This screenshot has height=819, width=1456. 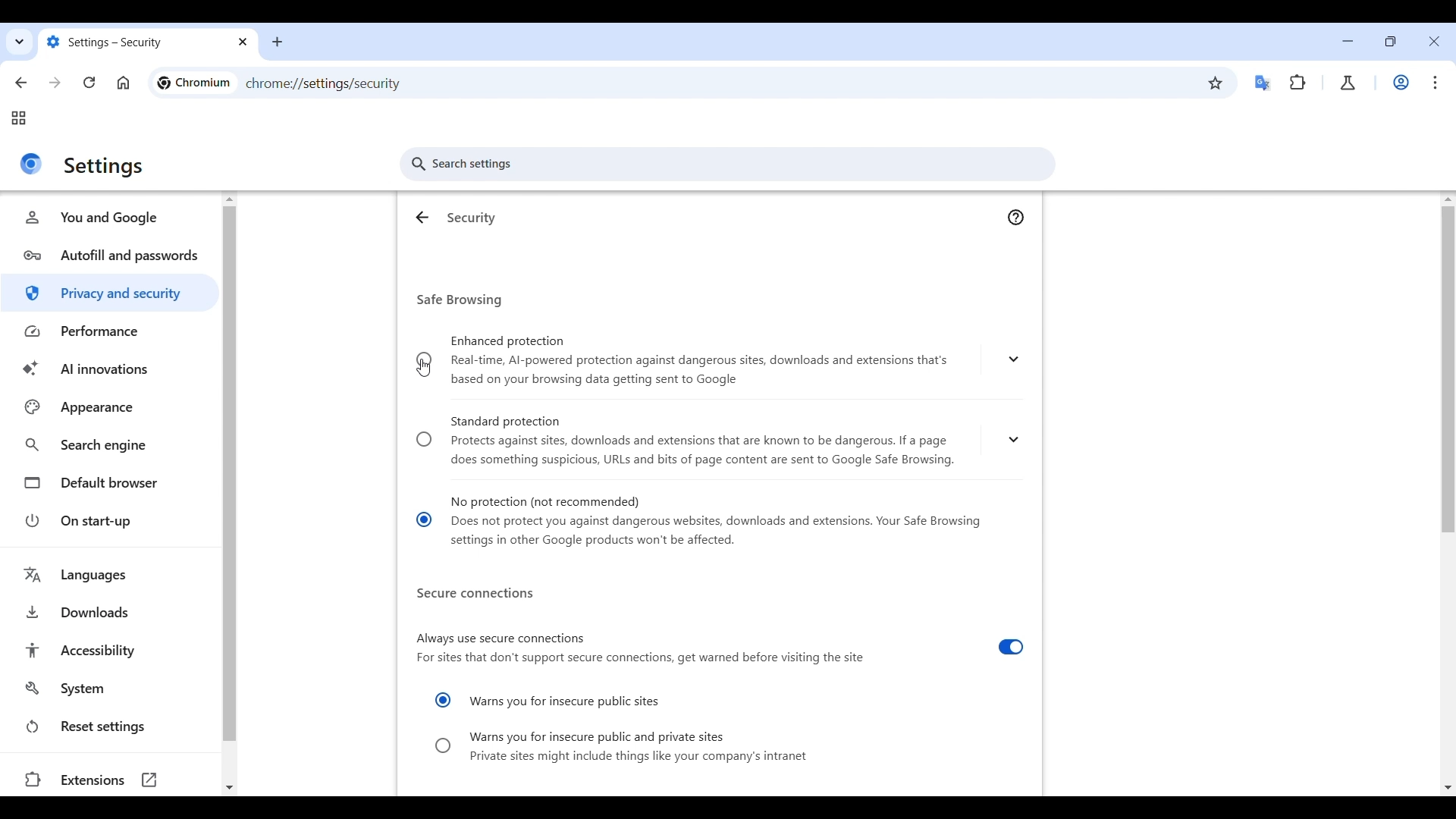 I want to click on Autofill and passwords, so click(x=111, y=256).